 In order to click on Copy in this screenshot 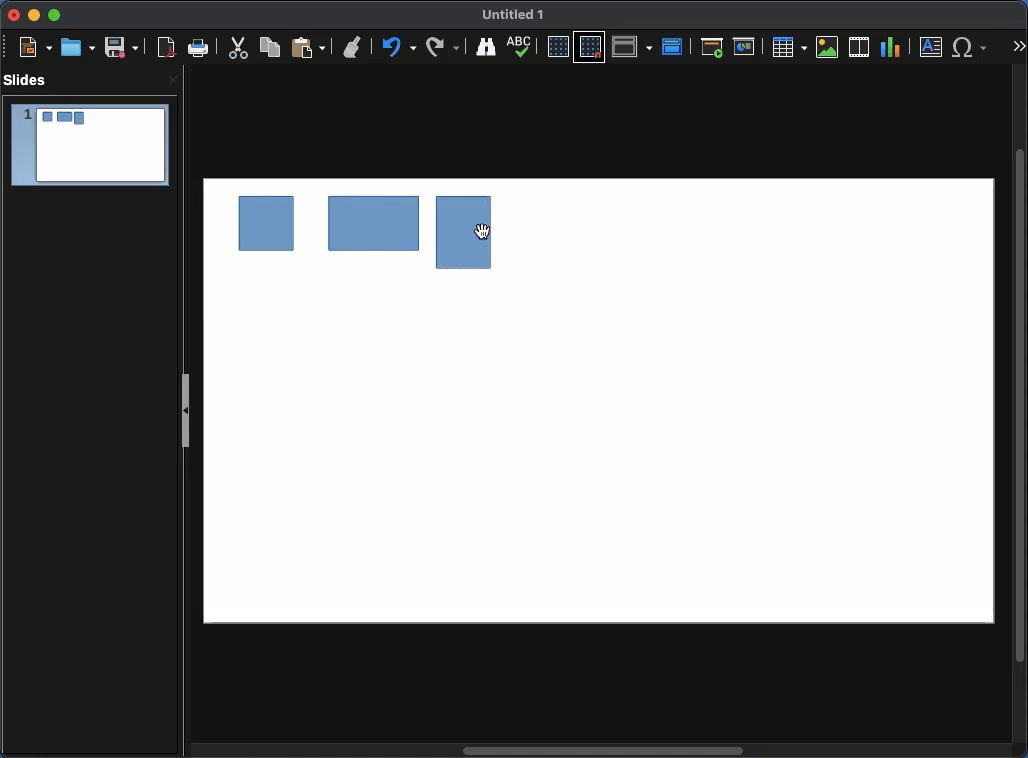, I will do `click(270, 47)`.